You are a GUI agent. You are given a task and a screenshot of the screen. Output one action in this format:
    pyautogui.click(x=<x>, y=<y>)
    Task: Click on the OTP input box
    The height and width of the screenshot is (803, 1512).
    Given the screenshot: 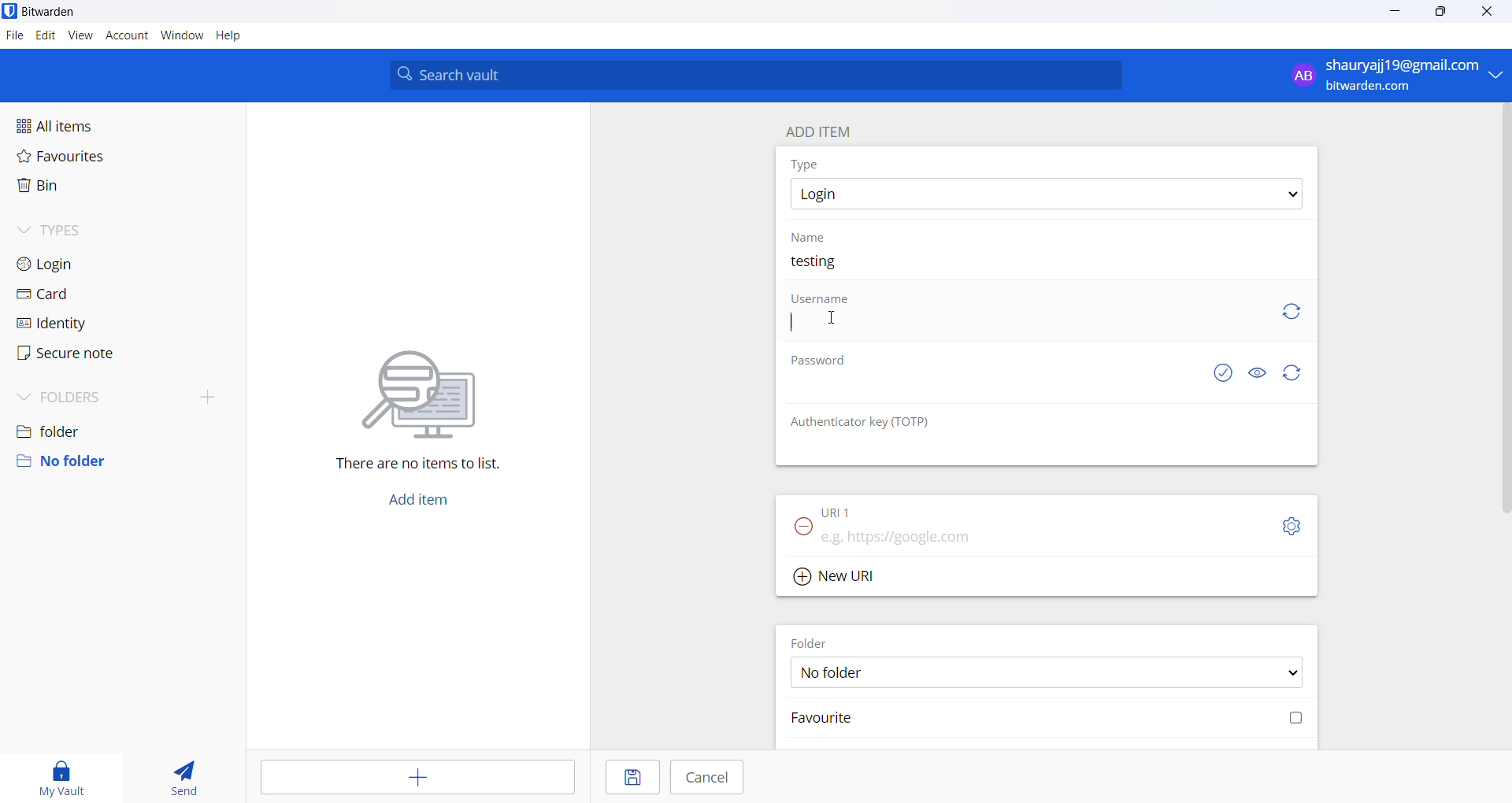 What is the action you would take?
    pyautogui.click(x=1026, y=451)
    